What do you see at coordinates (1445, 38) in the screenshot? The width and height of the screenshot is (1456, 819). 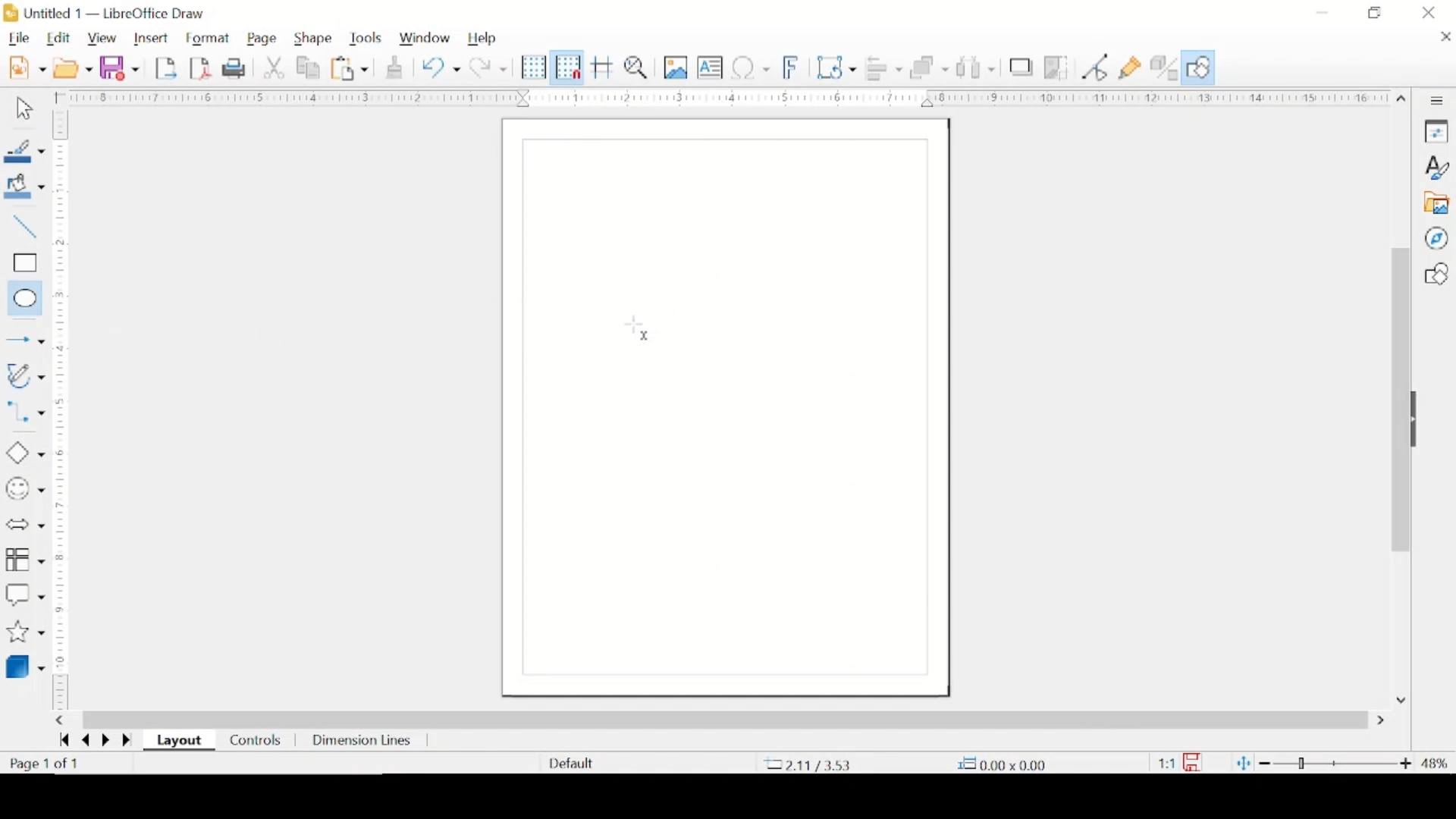 I see `close` at bounding box center [1445, 38].